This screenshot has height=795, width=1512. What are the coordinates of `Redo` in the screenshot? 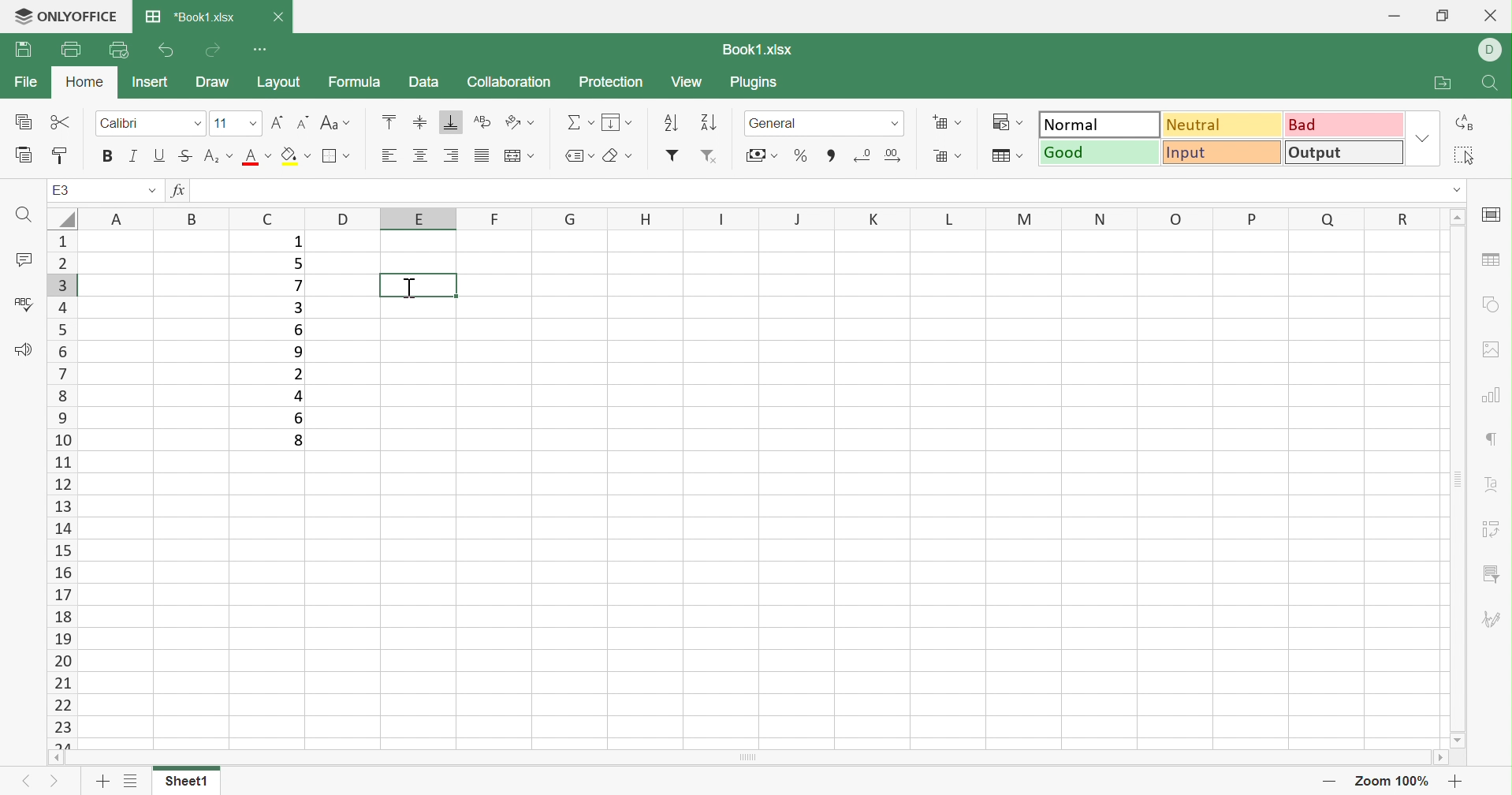 It's located at (212, 52).